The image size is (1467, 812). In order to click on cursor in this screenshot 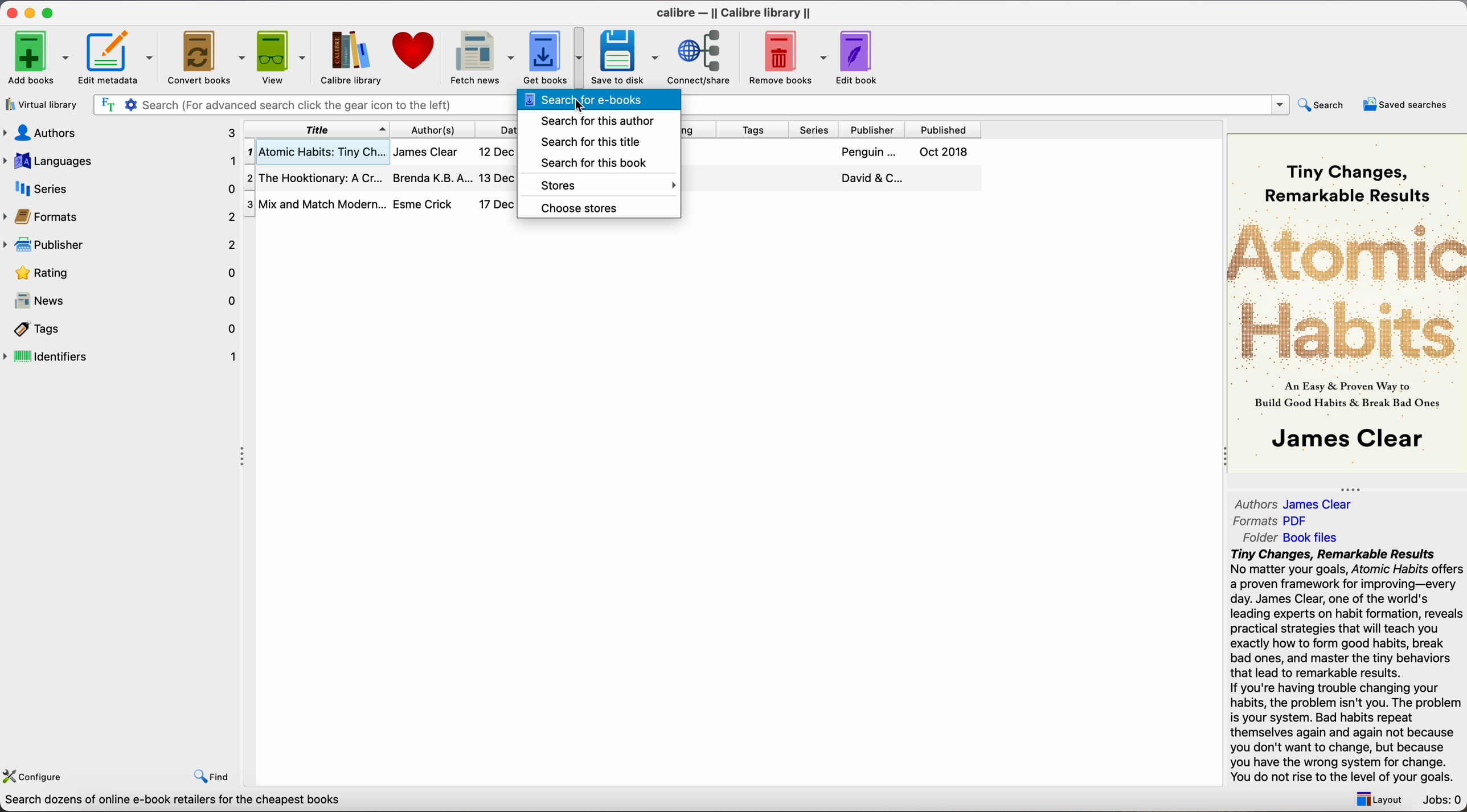, I will do `click(582, 106)`.